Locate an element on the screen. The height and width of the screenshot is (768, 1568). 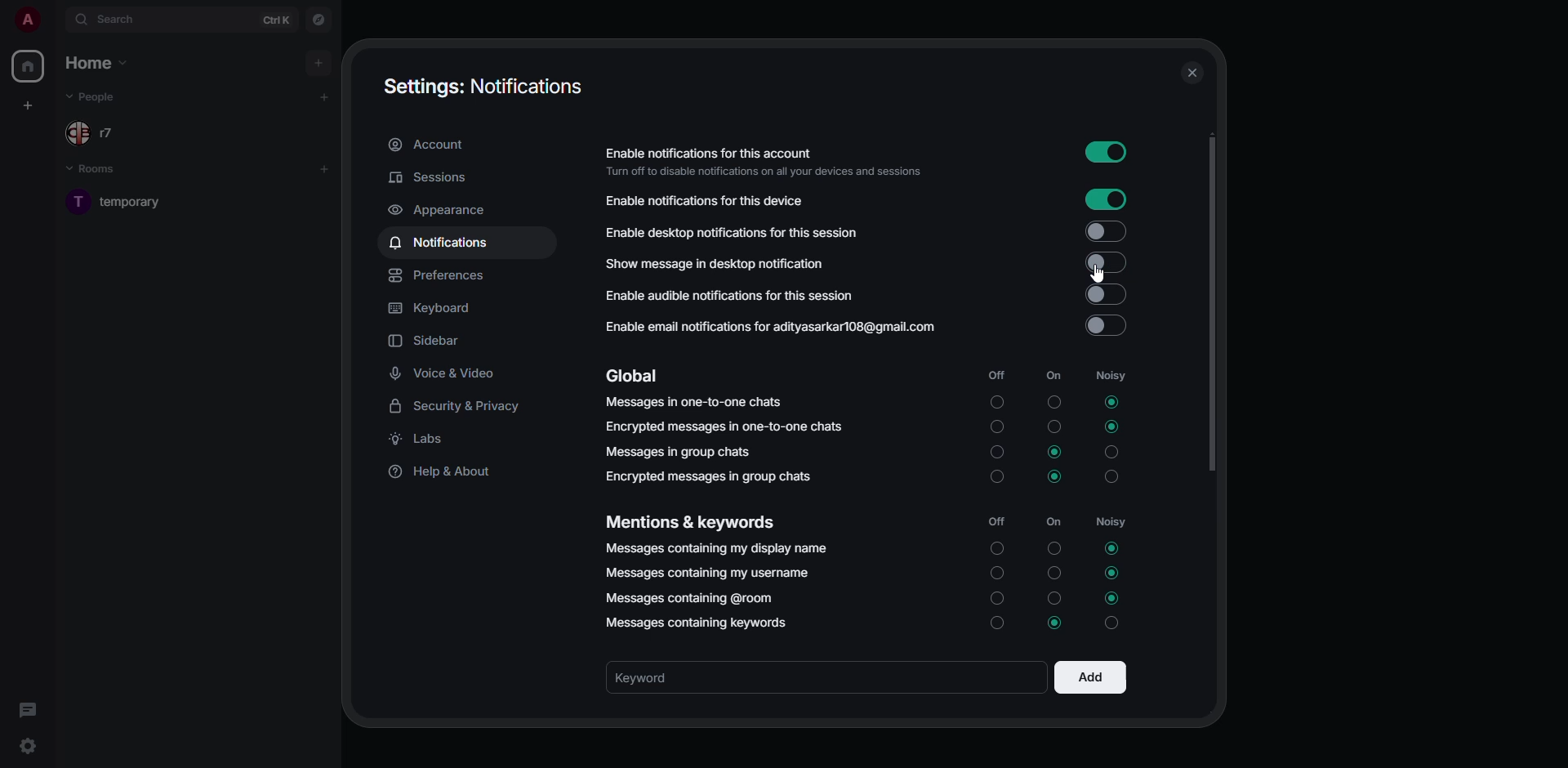
selected is located at coordinates (1111, 427).